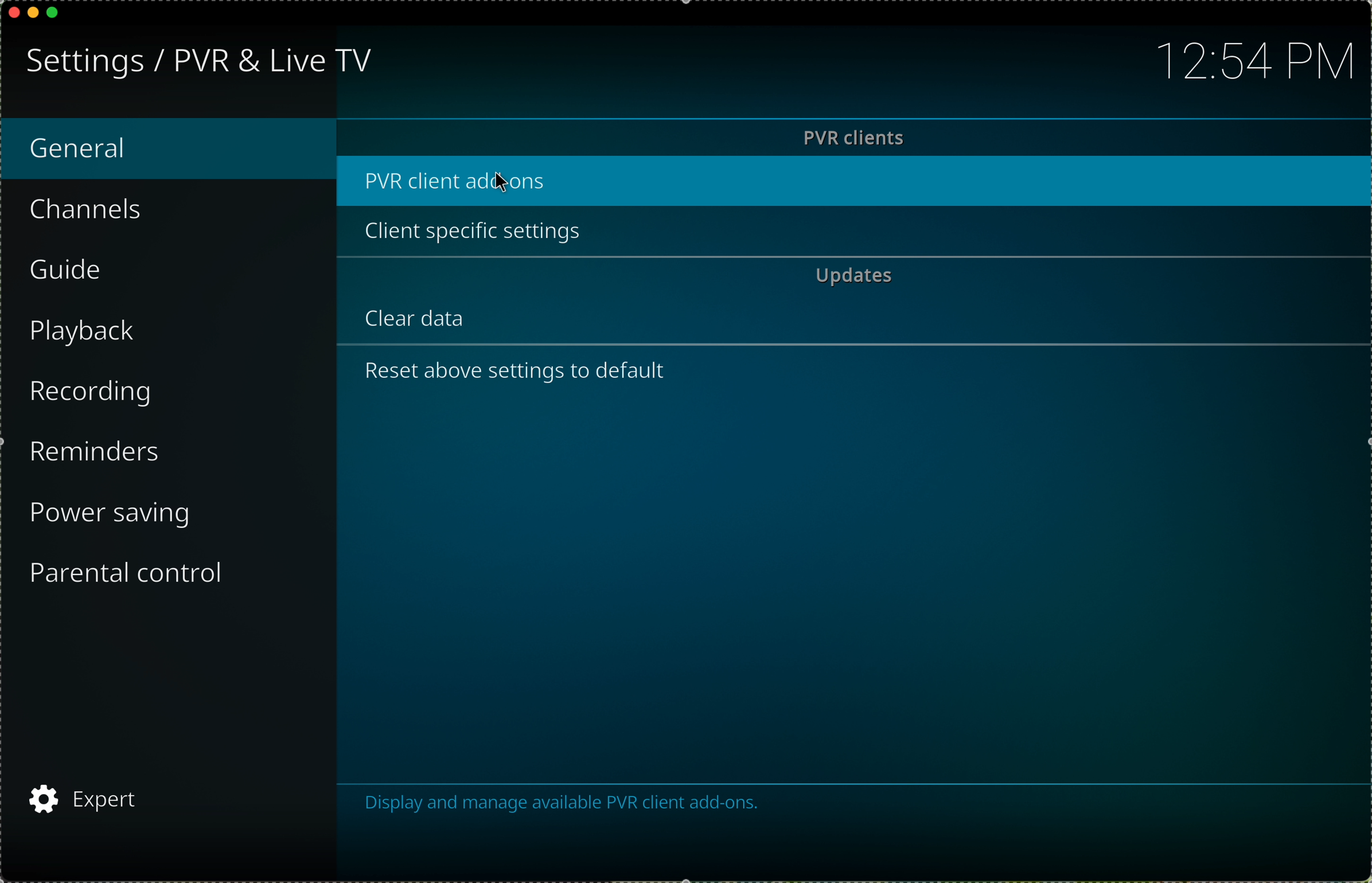 This screenshot has width=1372, height=883. I want to click on Settings/ PVR & Live TV, so click(201, 62).